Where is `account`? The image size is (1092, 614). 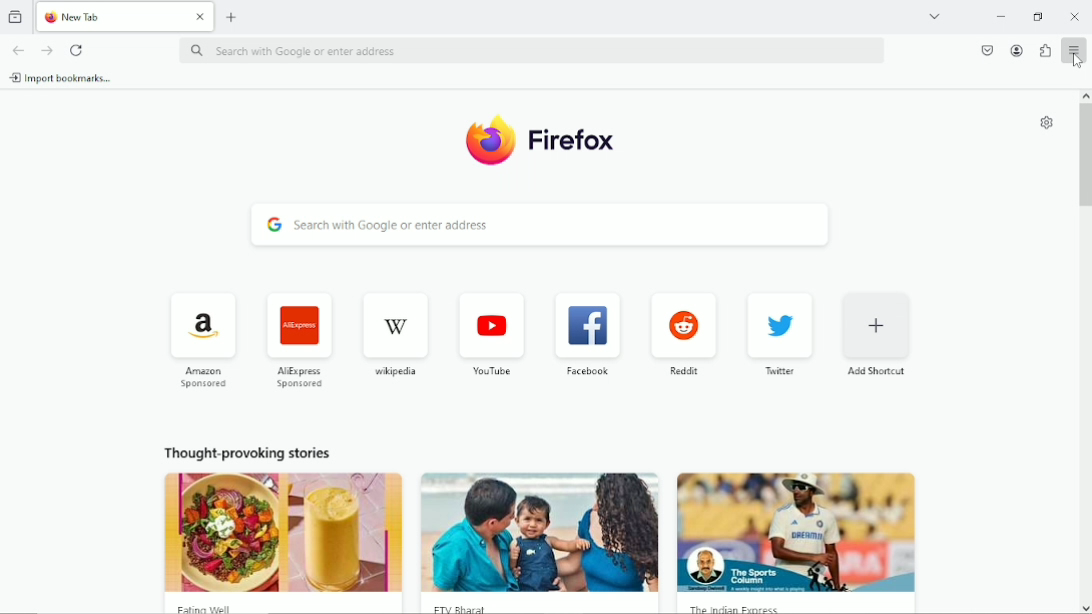 account is located at coordinates (1017, 51).